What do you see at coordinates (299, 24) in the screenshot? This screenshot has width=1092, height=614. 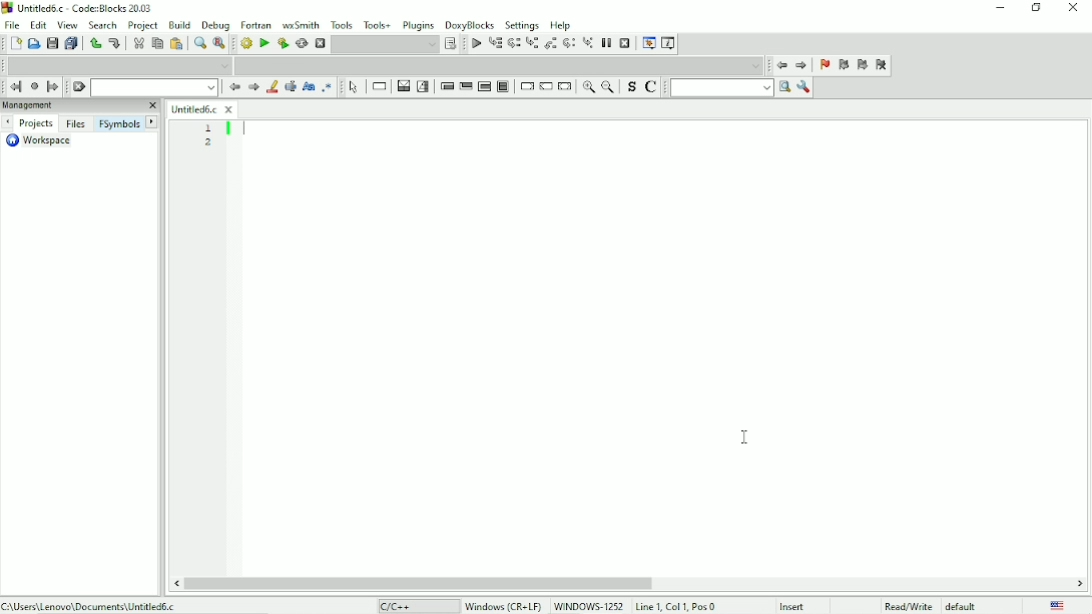 I see `wxSmith` at bounding box center [299, 24].